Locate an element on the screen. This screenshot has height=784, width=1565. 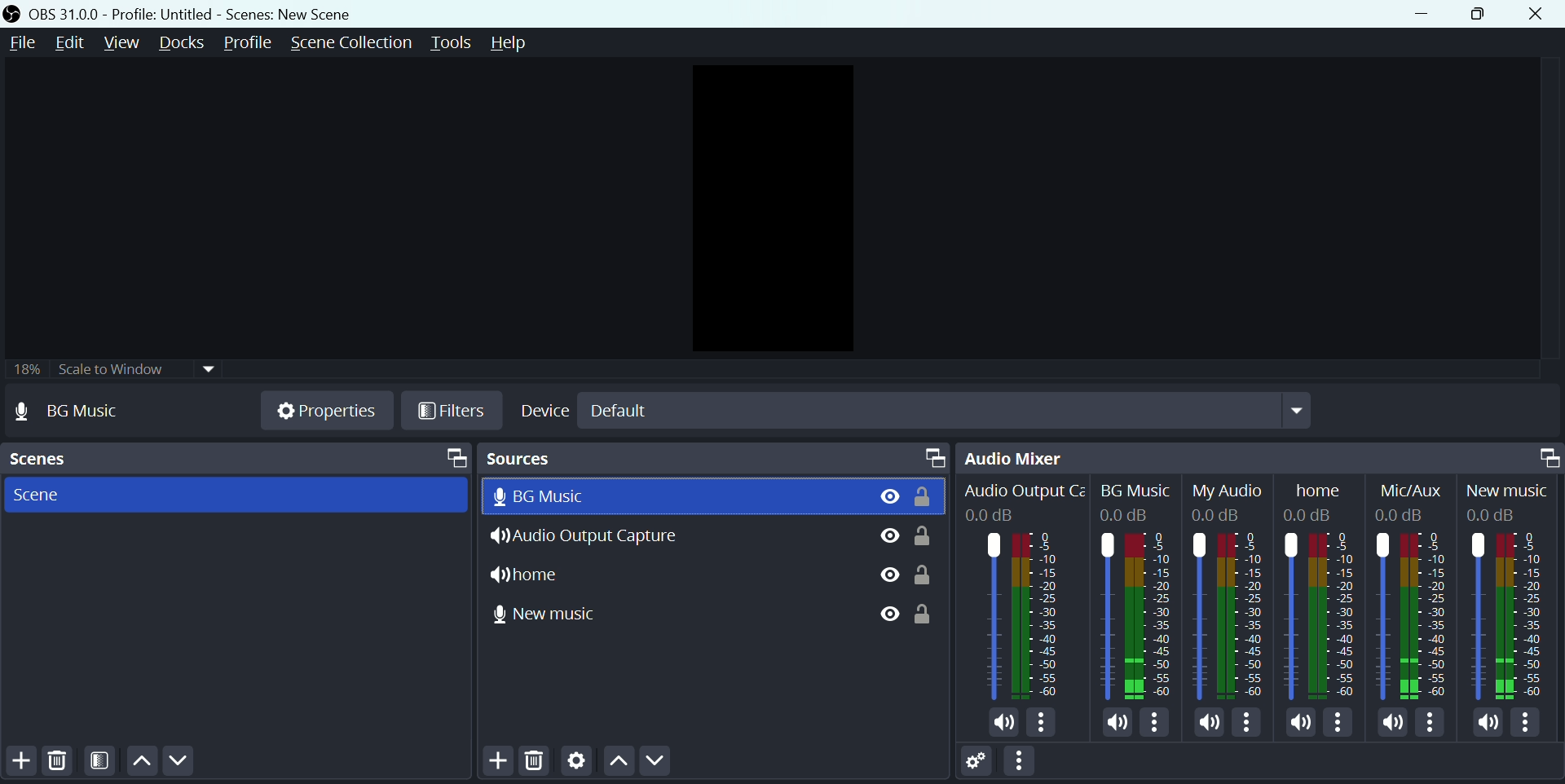
New Music is located at coordinates (1512, 592).